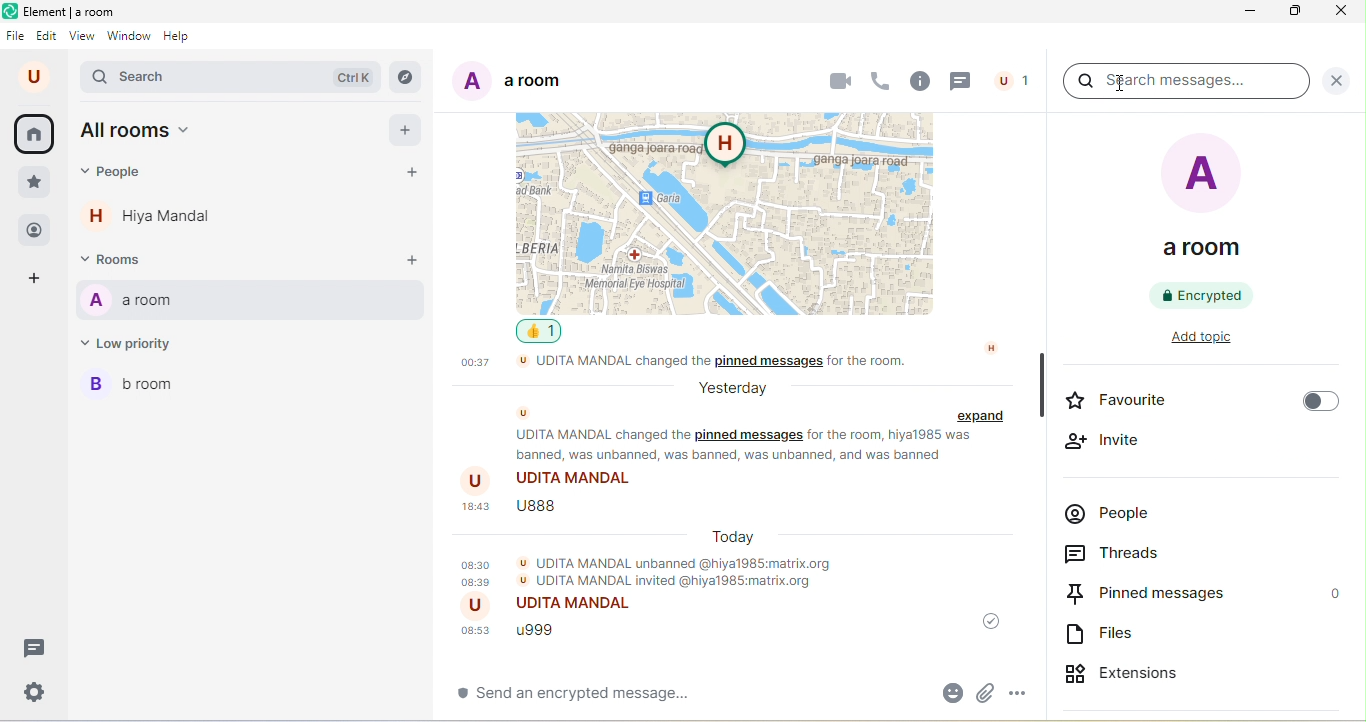  I want to click on a room, so click(250, 302).